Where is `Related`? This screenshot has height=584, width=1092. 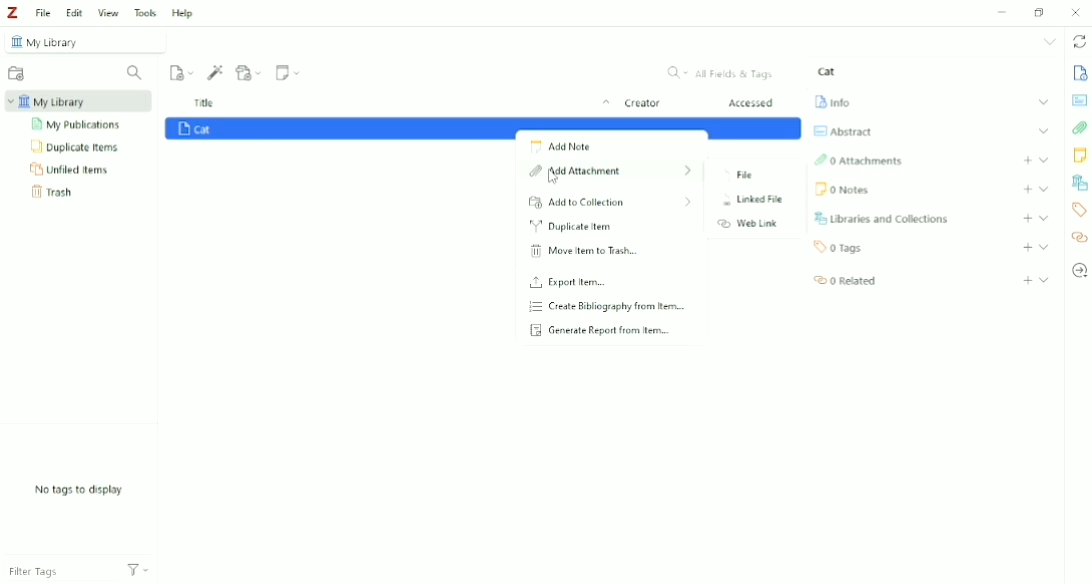
Related is located at coordinates (1079, 238).